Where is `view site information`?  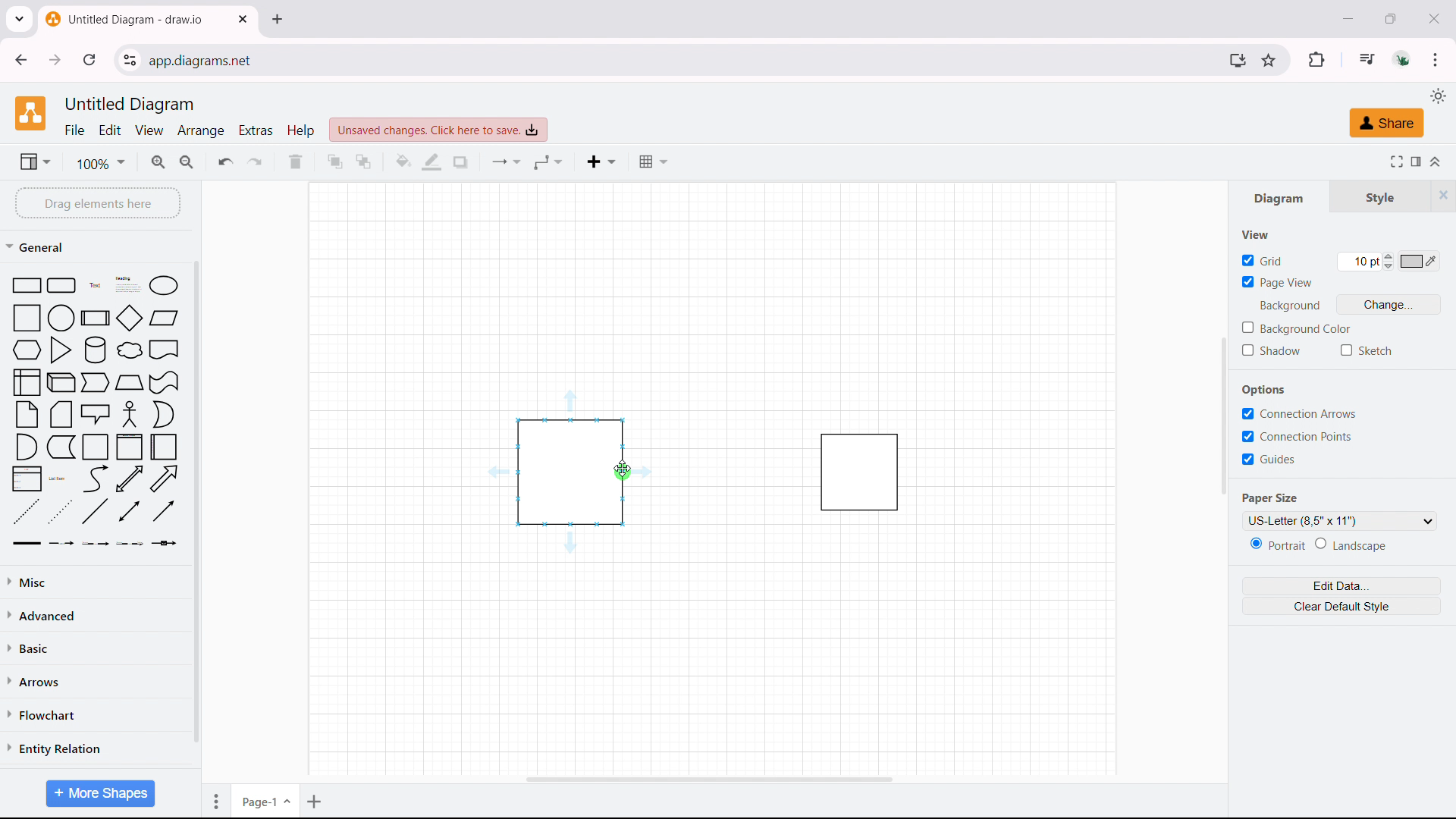
view site information is located at coordinates (130, 60).